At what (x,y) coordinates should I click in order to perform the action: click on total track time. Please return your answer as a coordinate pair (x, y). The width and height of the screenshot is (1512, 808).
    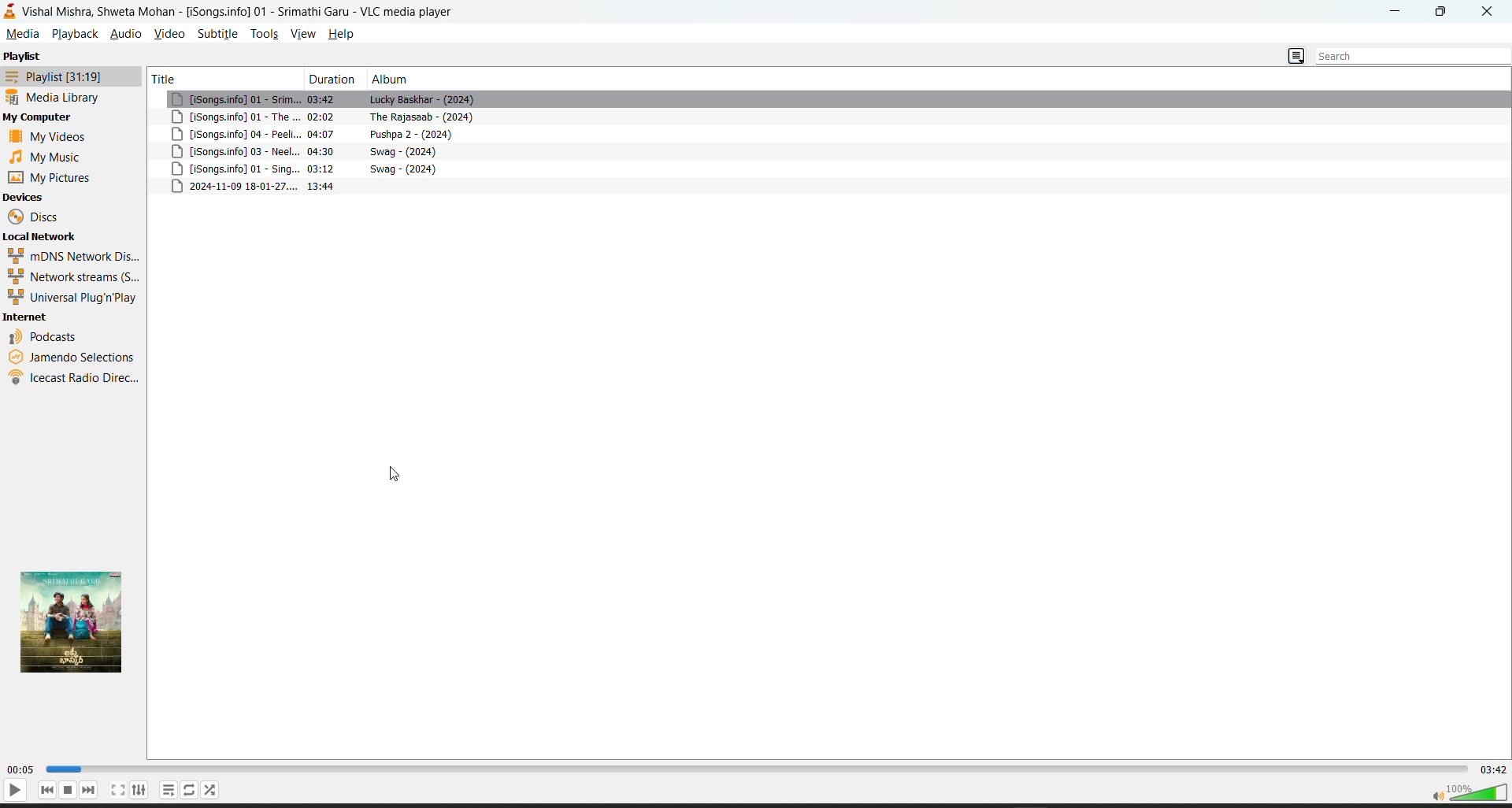
    Looking at the image, I should click on (1496, 769).